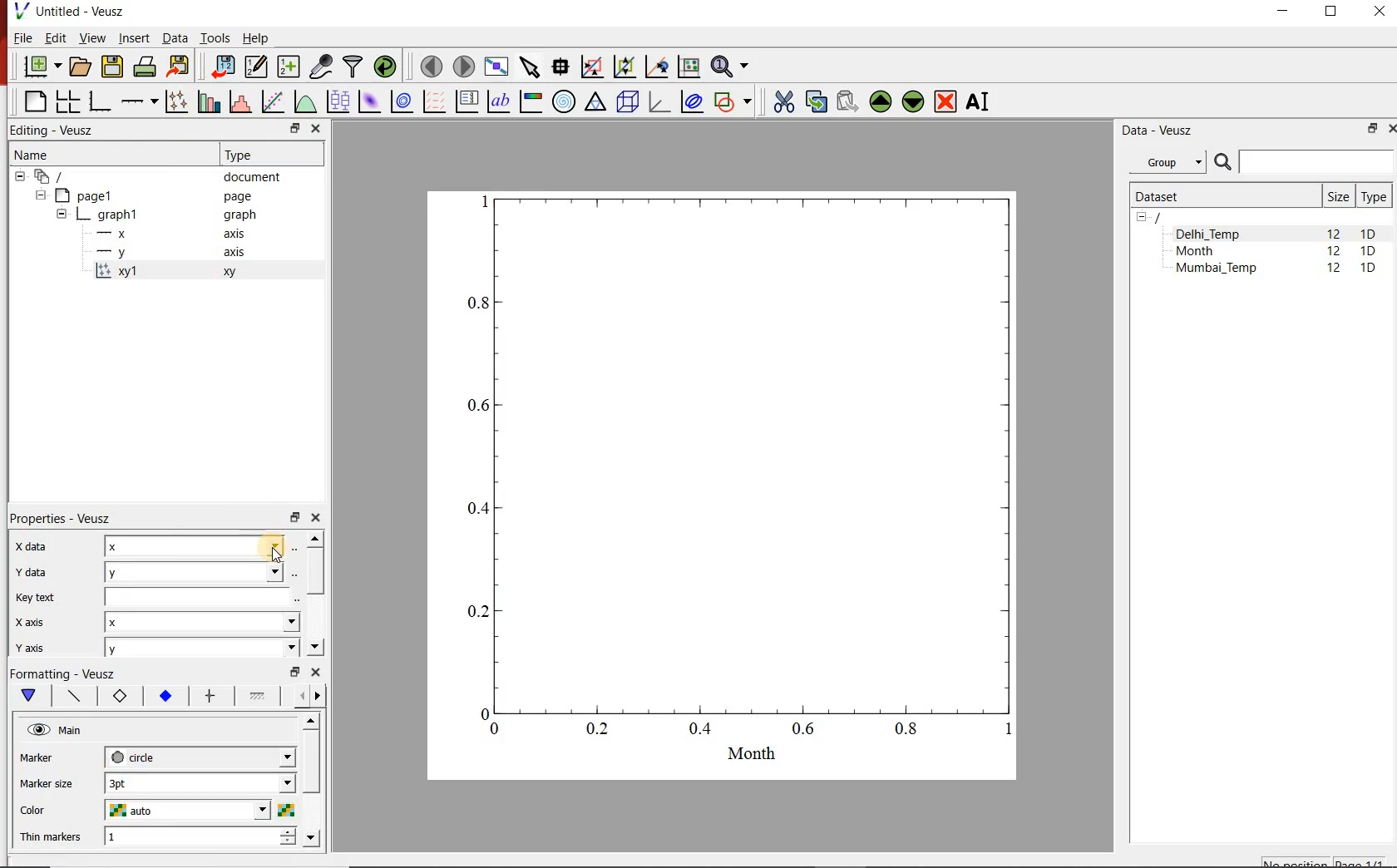 This screenshot has height=868, width=1397. What do you see at coordinates (294, 516) in the screenshot?
I see `restore` at bounding box center [294, 516].